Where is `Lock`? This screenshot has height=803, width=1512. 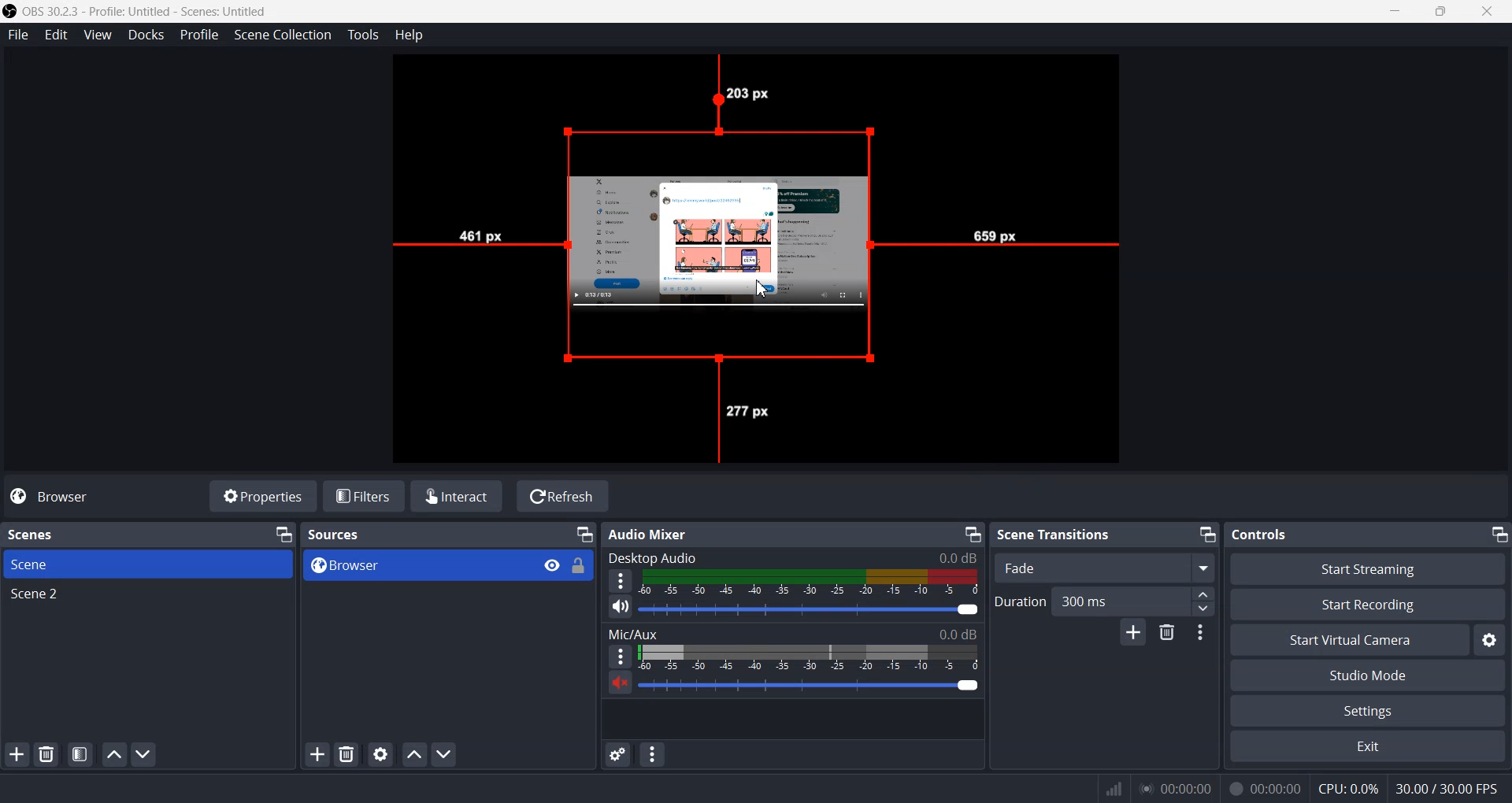 Lock is located at coordinates (583, 572).